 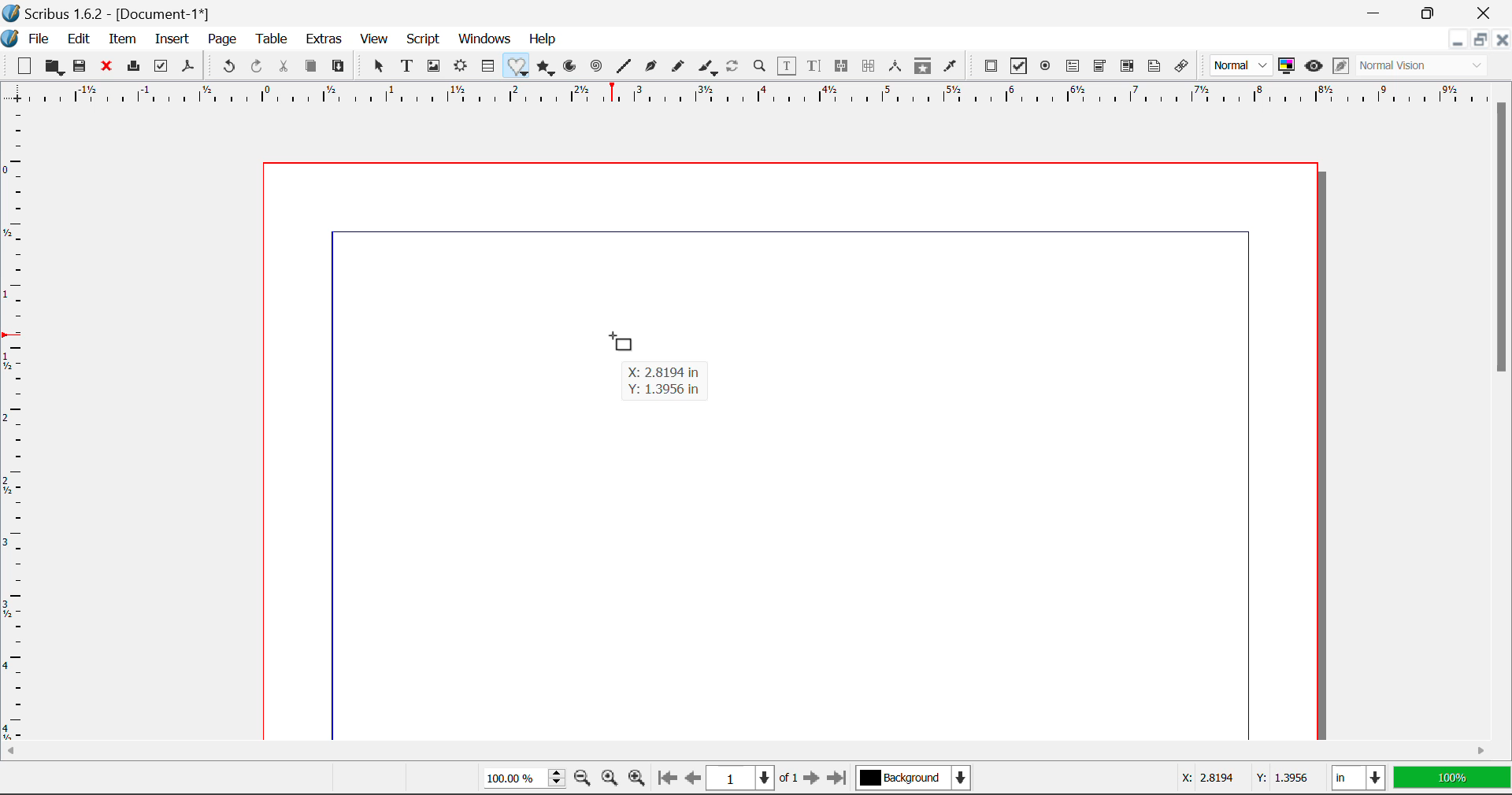 What do you see at coordinates (1182, 67) in the screenshot?
I see `Link Annotation` at bounding box center [1182, 67].